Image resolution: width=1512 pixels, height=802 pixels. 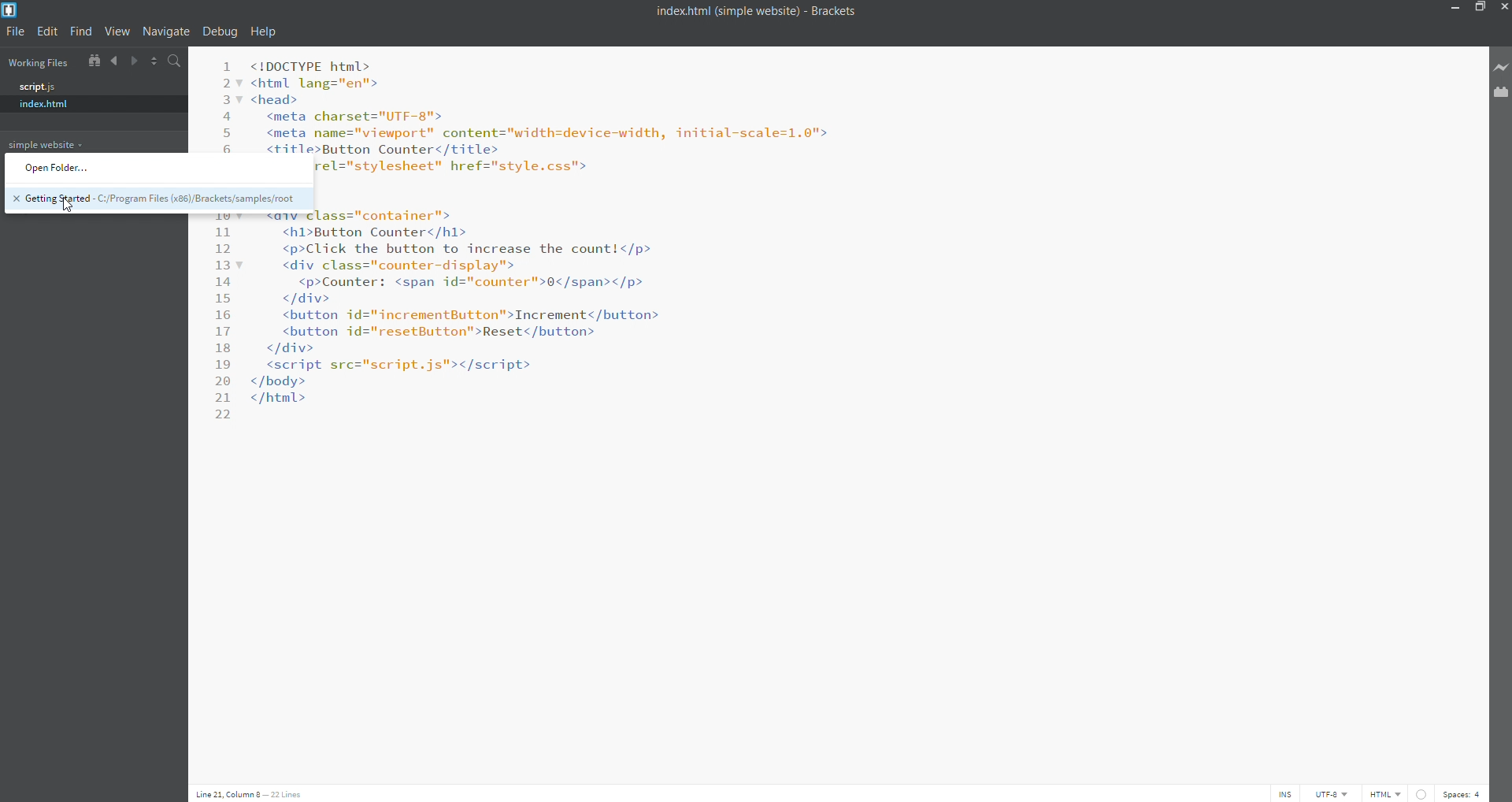 I want to click on help, so click(x=265, y=31).